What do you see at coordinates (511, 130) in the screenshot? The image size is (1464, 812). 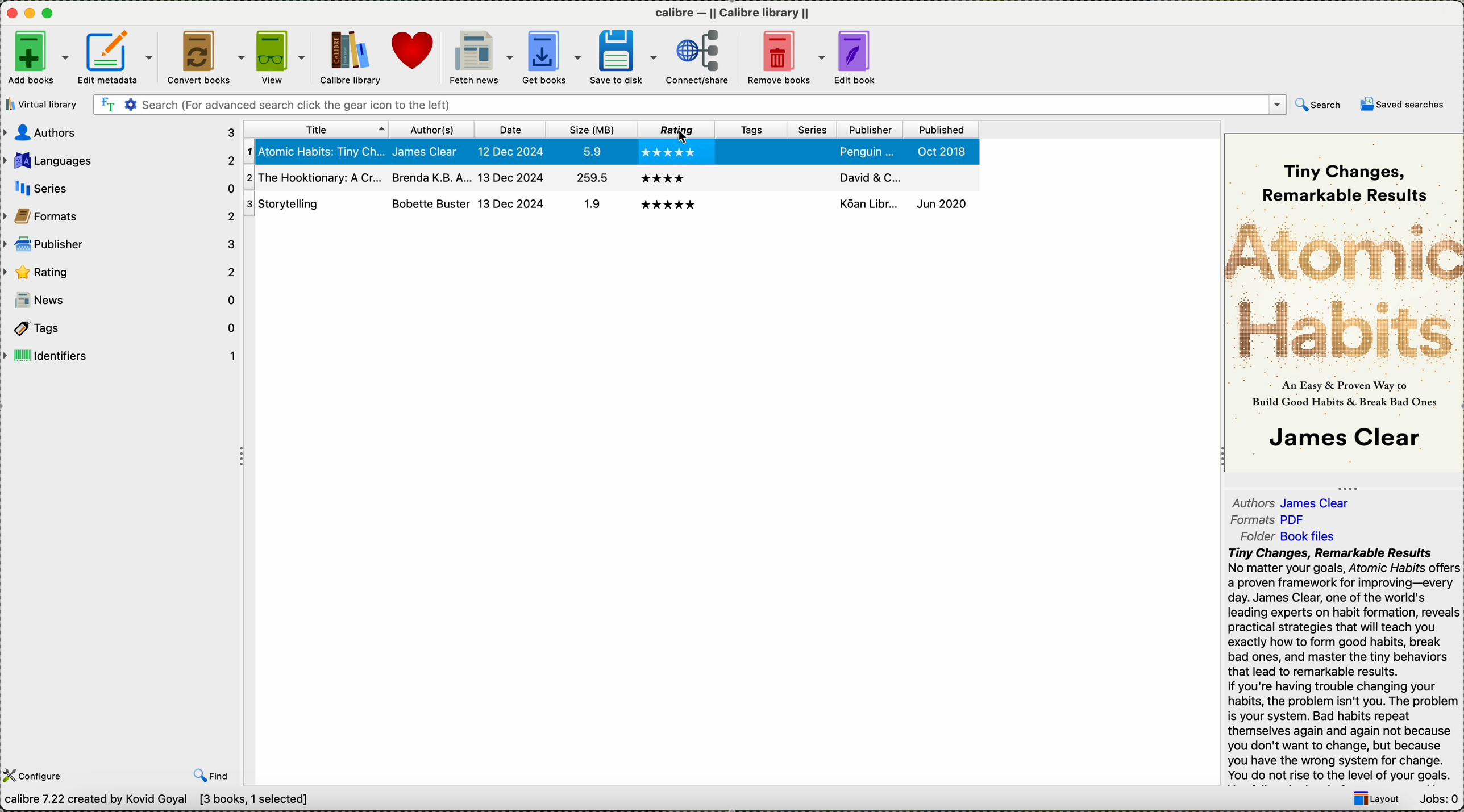 I see `date` at bounding box center [511, 130].